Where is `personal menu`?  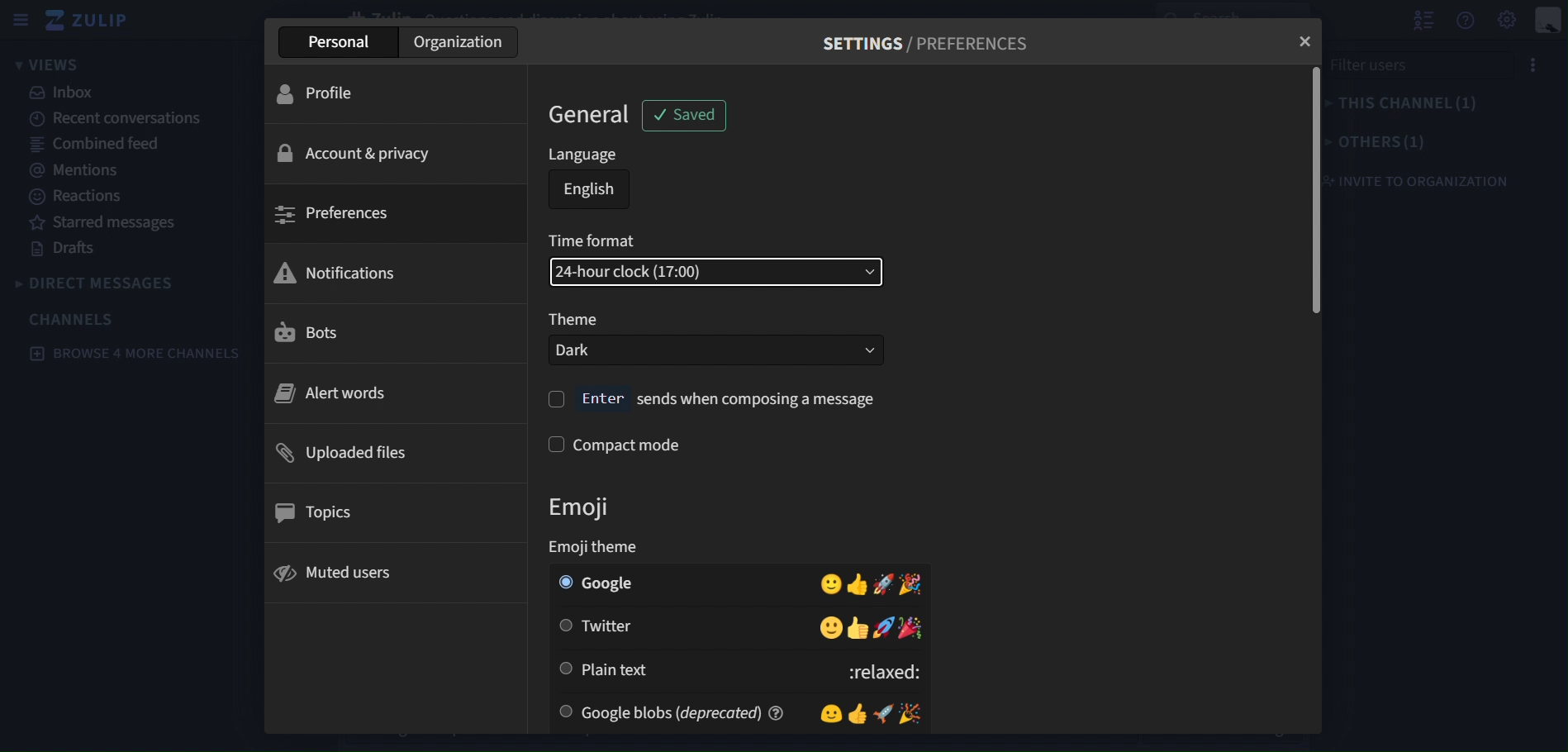 personal menu is located at coordinates (1551, 19).